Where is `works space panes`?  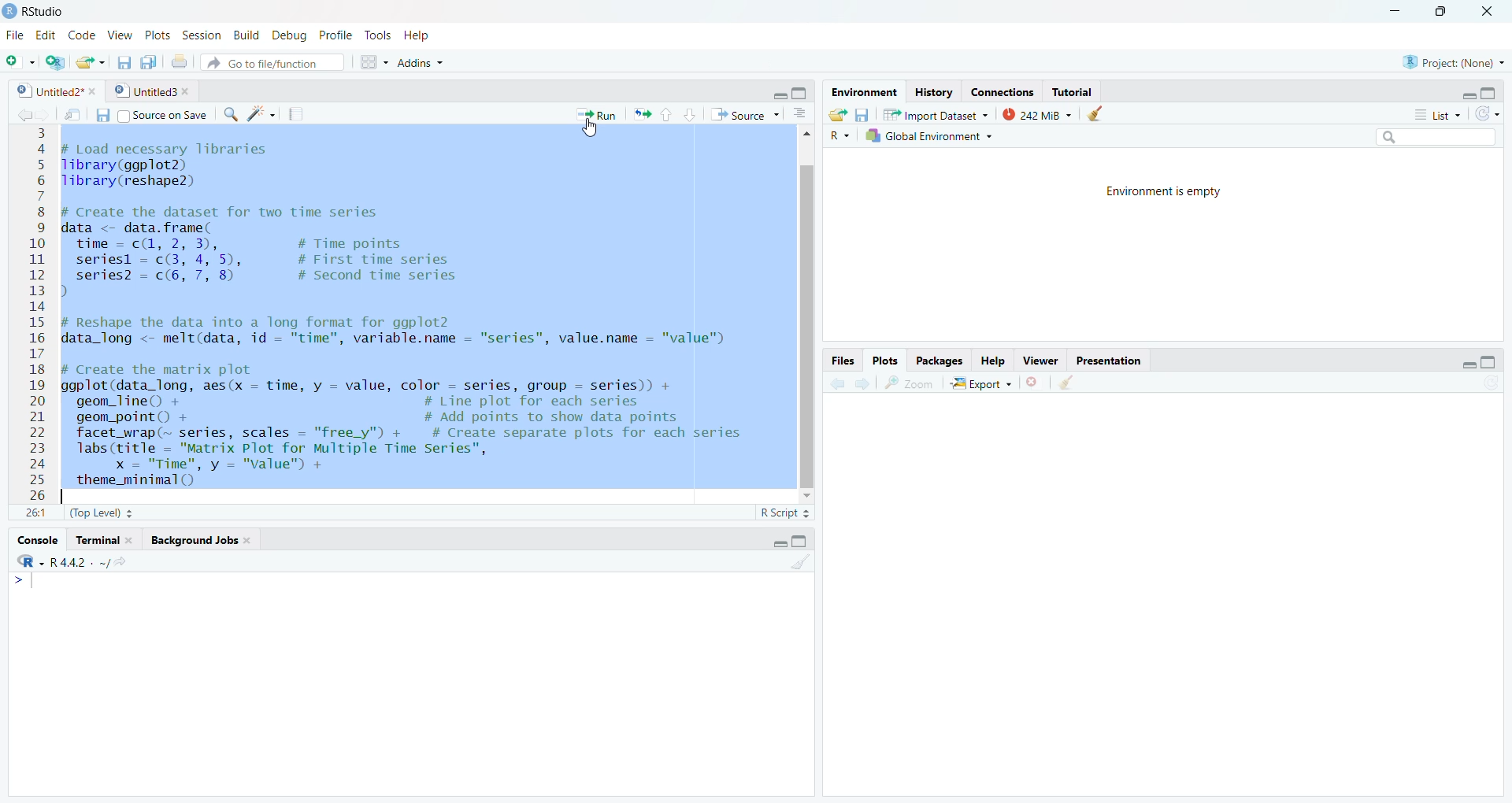
works space panes is located at coordinates (372, 62).